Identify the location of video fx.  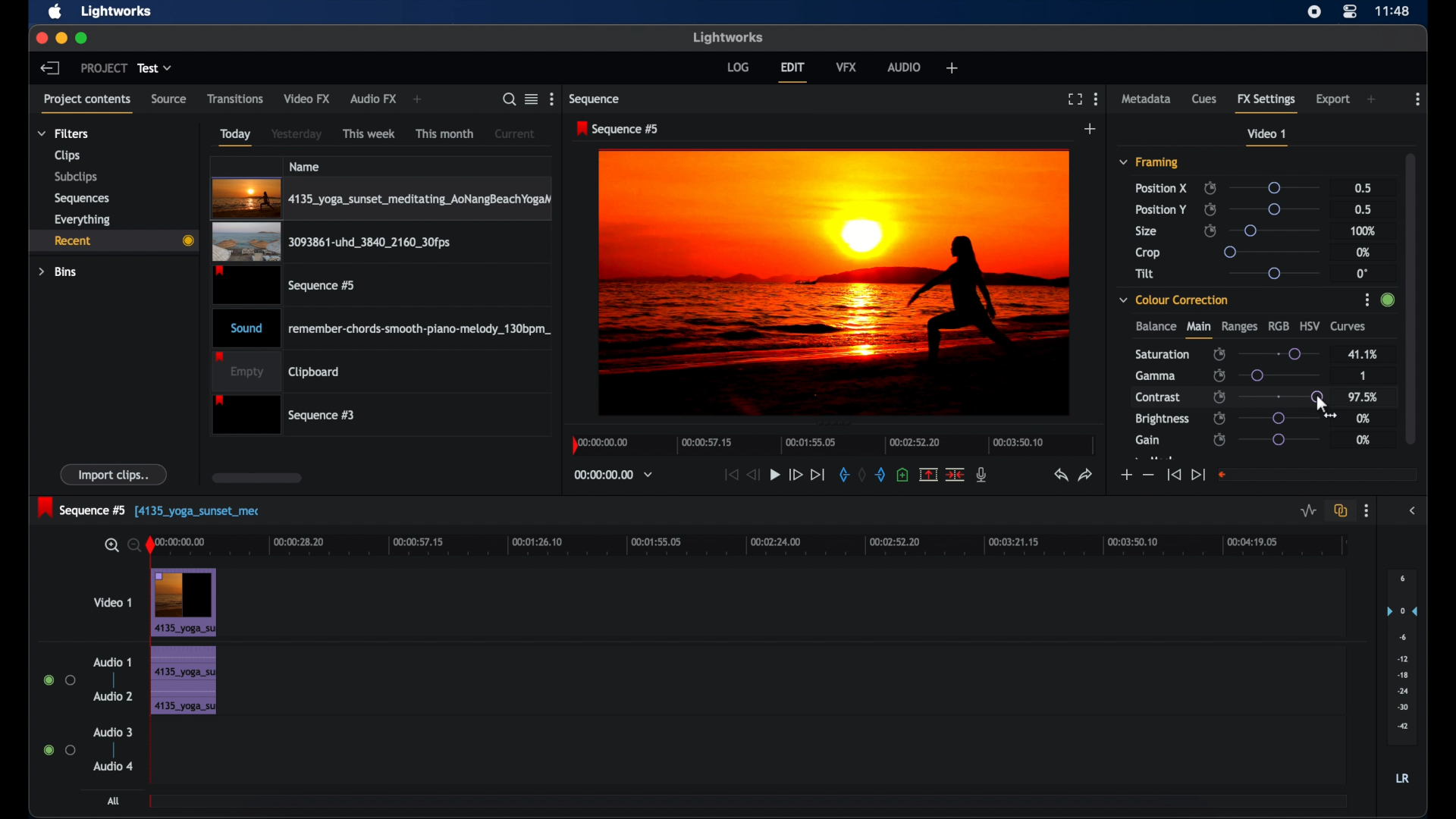
(308, 99).